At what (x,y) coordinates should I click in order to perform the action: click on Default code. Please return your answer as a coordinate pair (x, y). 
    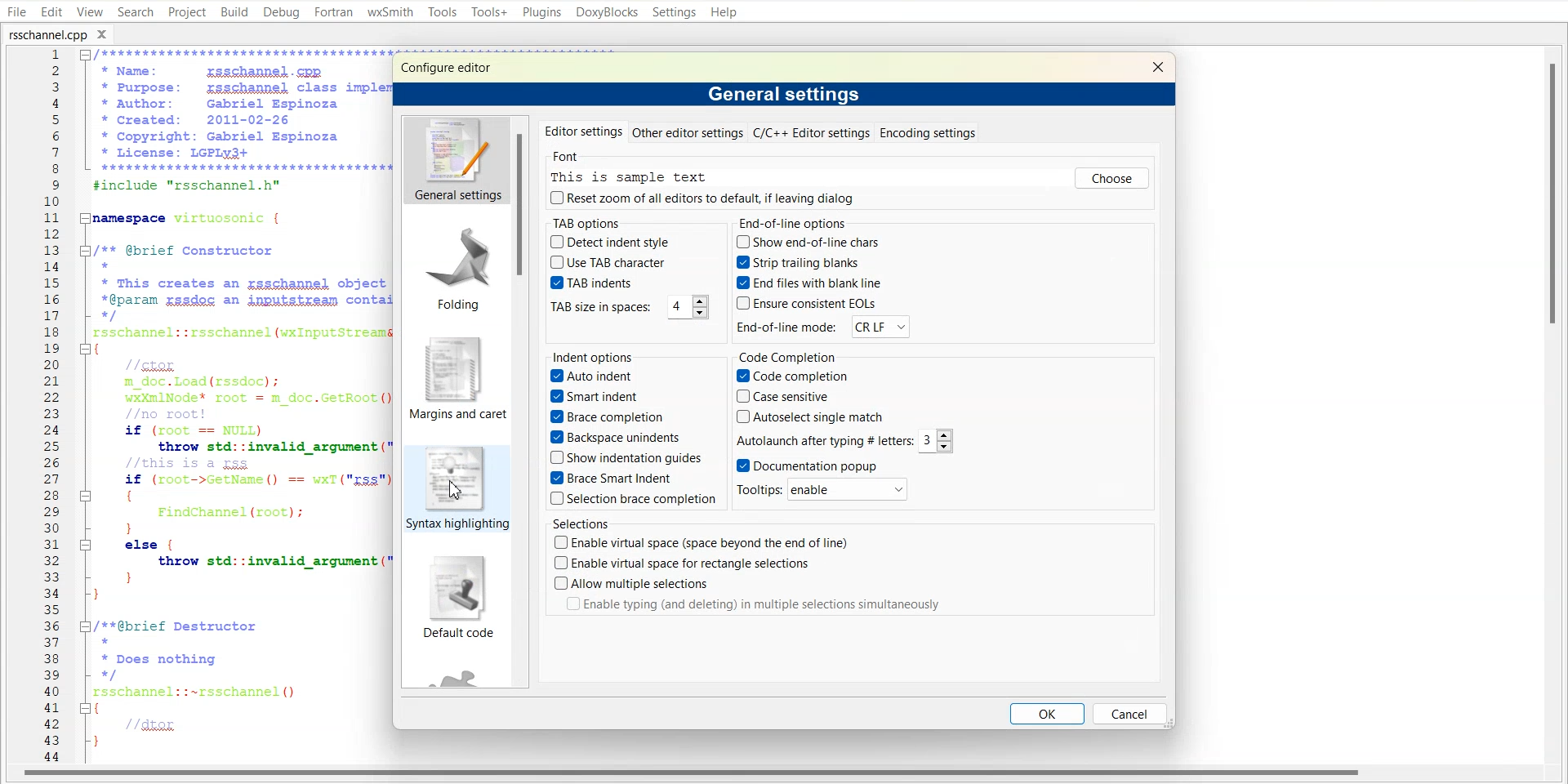
    Looking at the image, I should click on (457, 600).